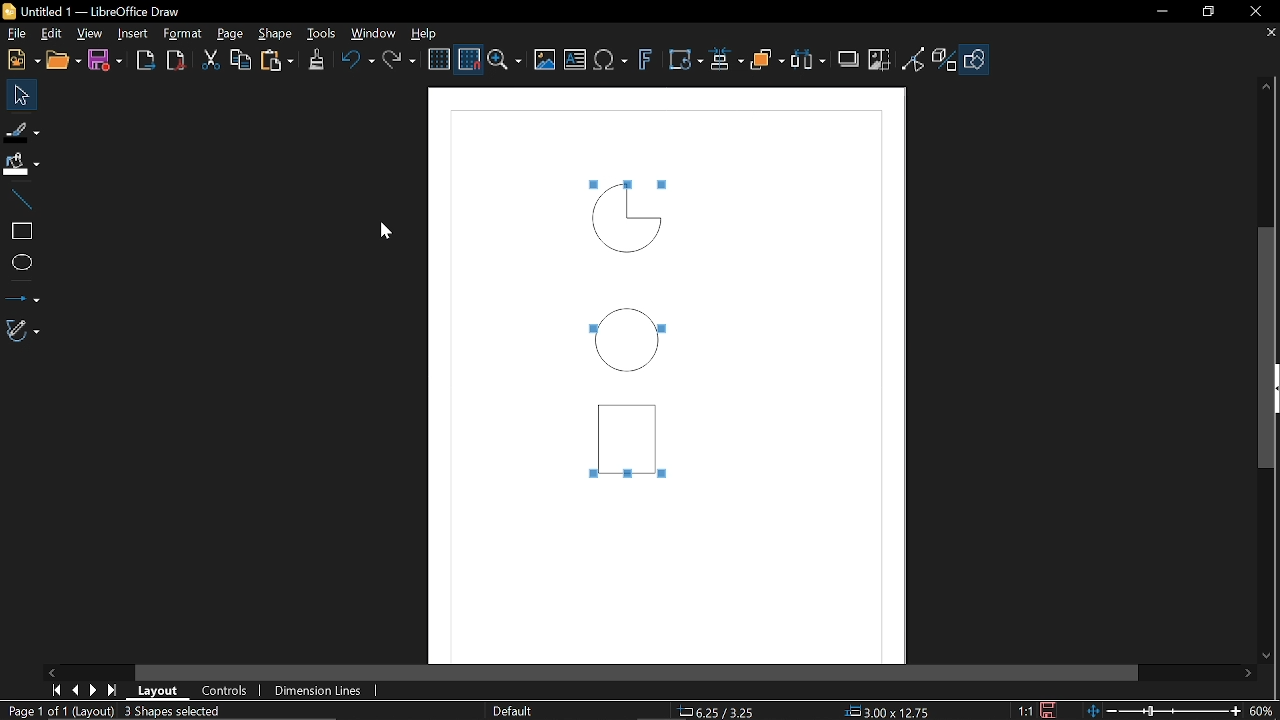 Image resolution: width=1280 pixels, height=720 pixels. What do you see at coordinates (682, 61) in the screenshot?
I see `Transform` at bounding box center [682, 61].